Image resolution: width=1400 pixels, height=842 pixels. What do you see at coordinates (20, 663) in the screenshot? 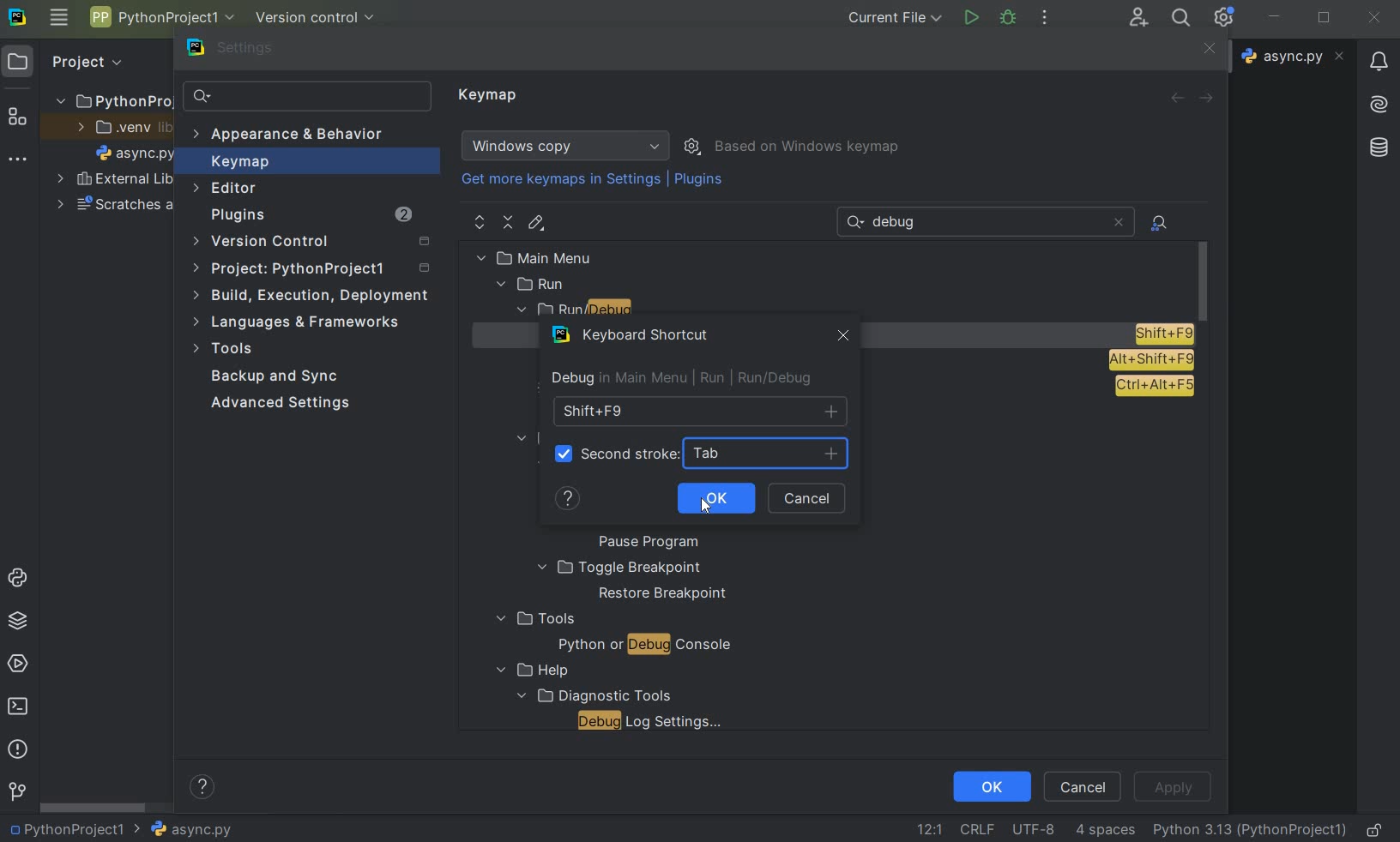
I see `services` at bounding box center [20, 663].